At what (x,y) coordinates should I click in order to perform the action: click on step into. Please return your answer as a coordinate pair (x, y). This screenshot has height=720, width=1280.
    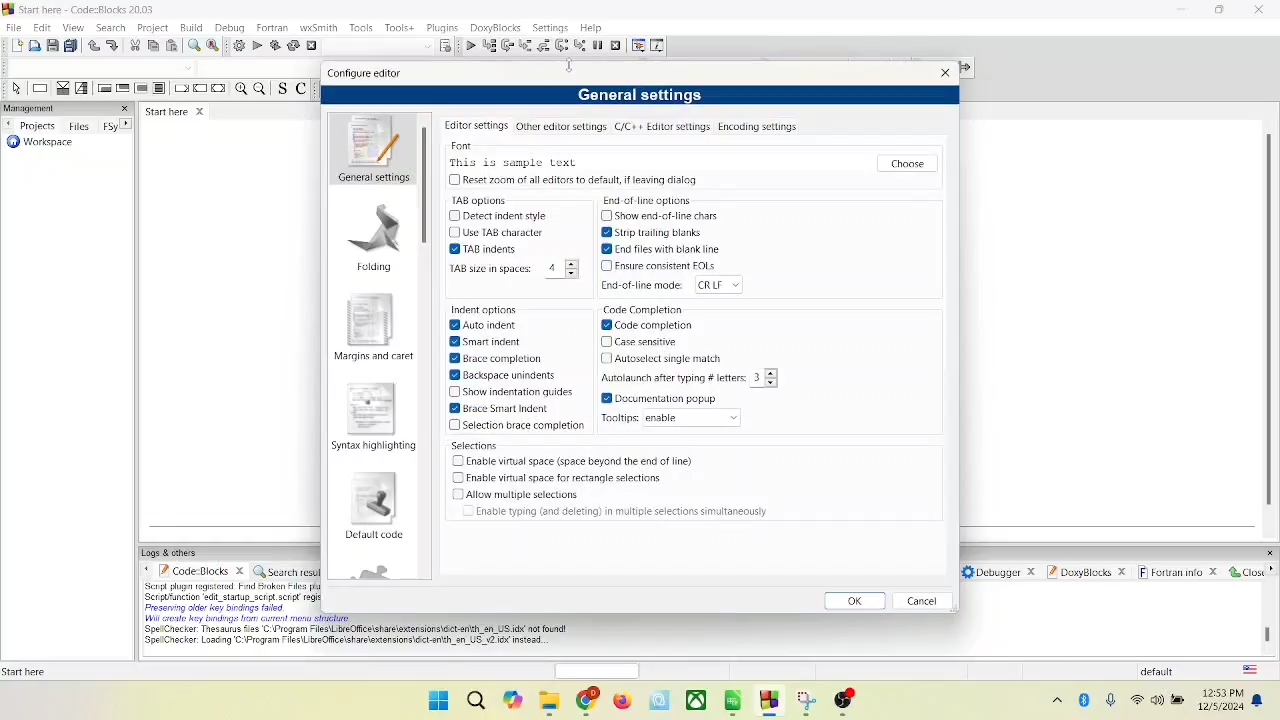
    Looking at the image, I should click on (527, 47).